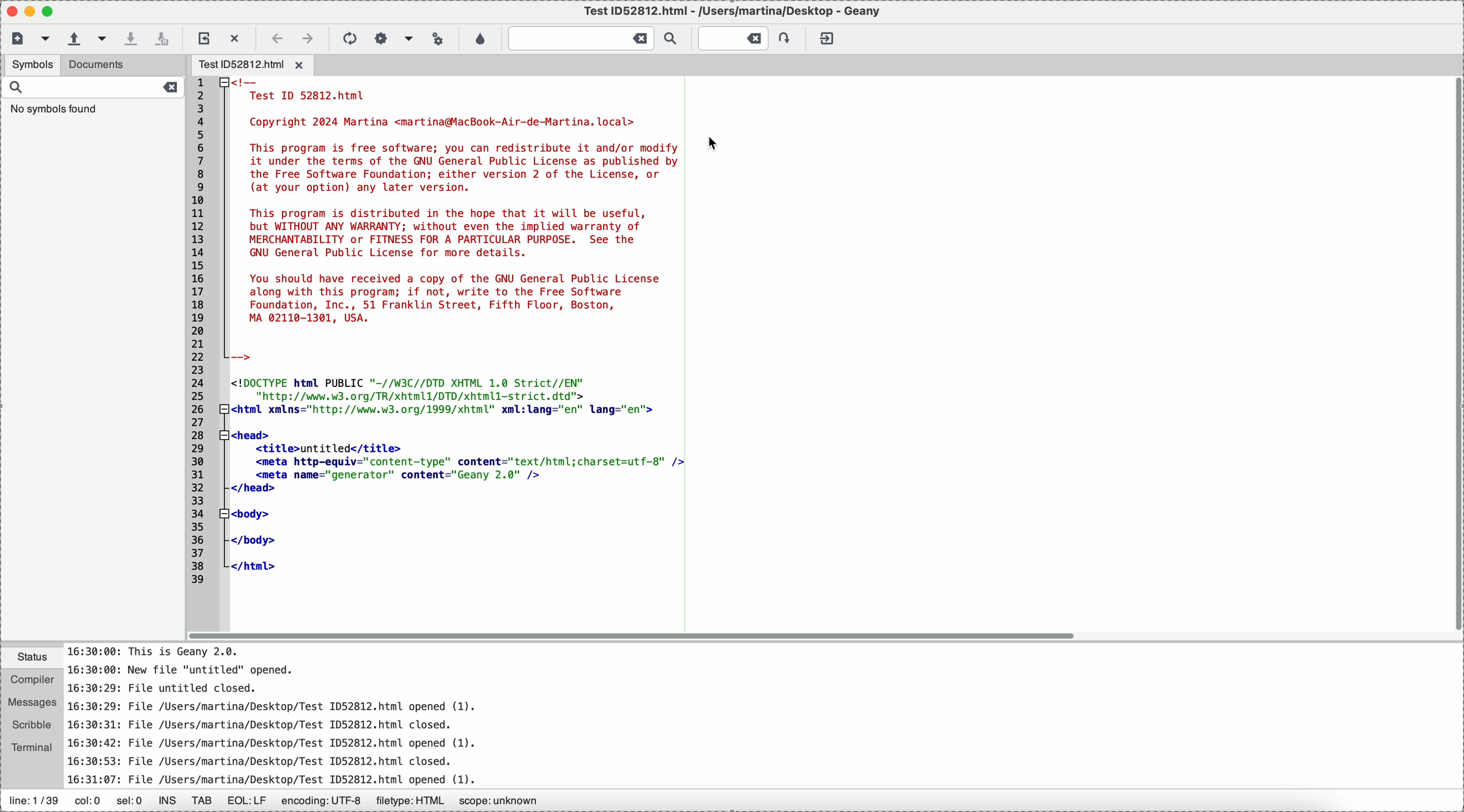  I want to click on close, so click(9, 11).